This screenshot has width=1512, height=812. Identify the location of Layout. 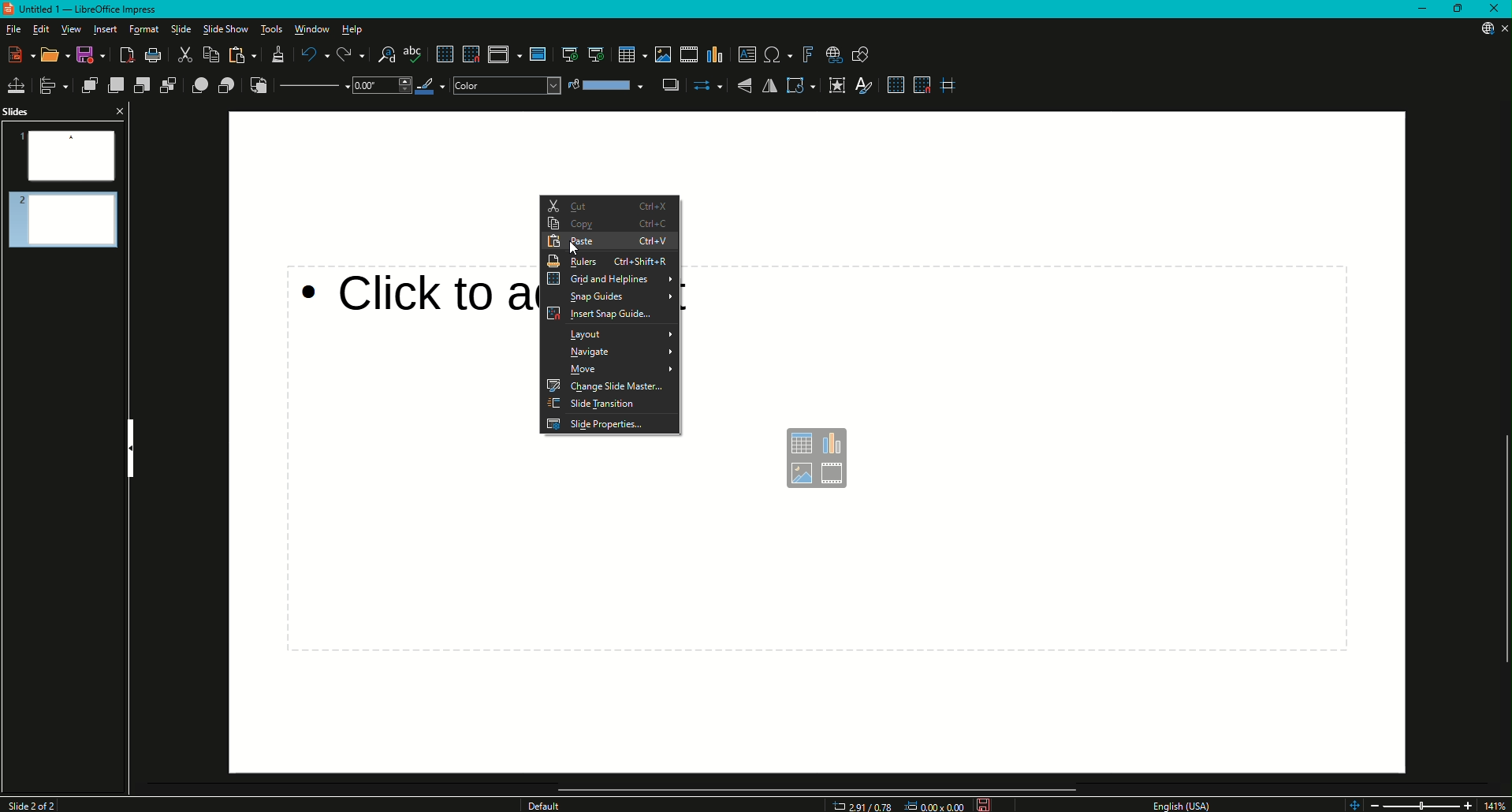
(612, 333).